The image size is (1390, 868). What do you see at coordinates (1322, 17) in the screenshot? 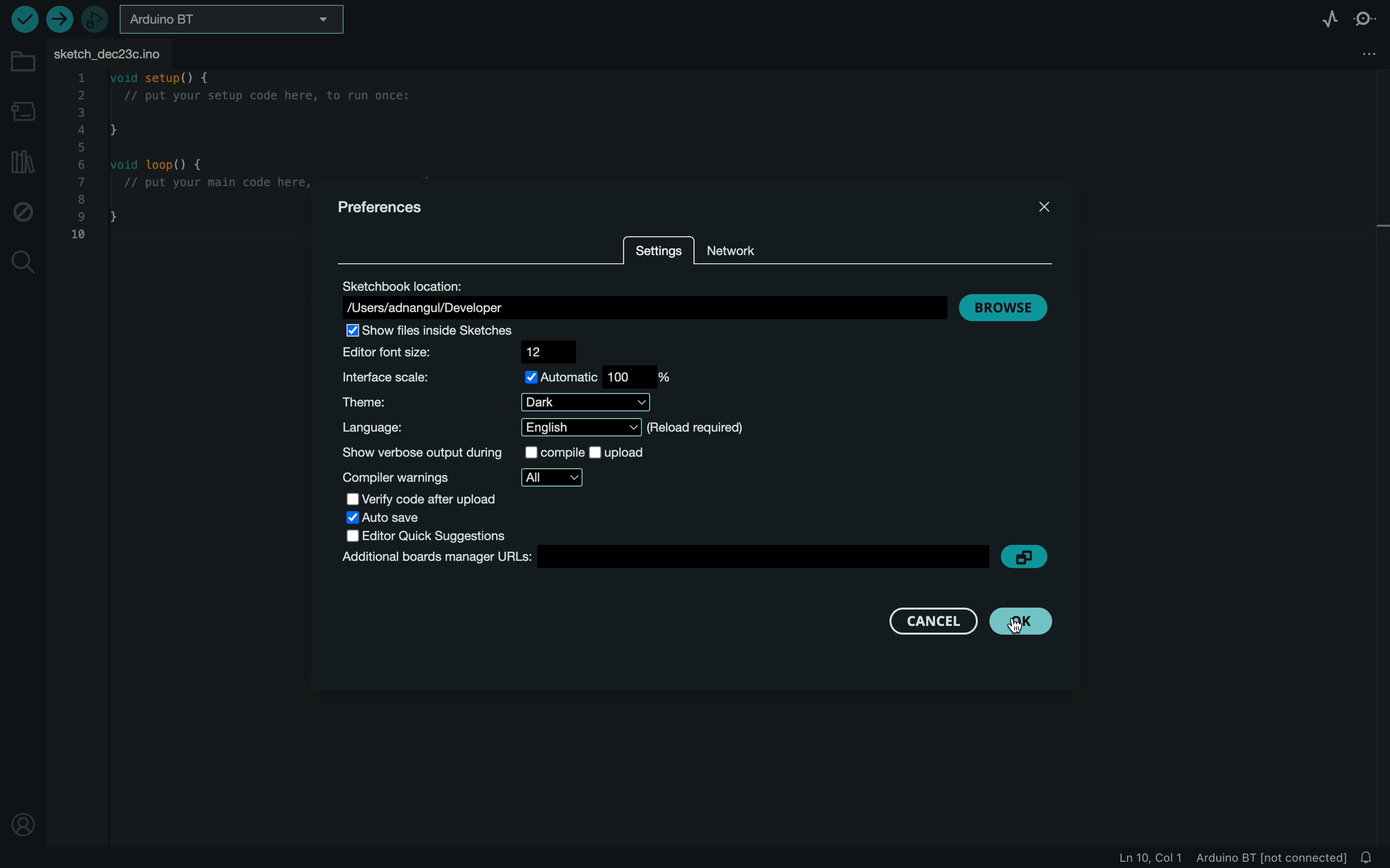
I see `serial plotter` at bounding box center [1322, 17].